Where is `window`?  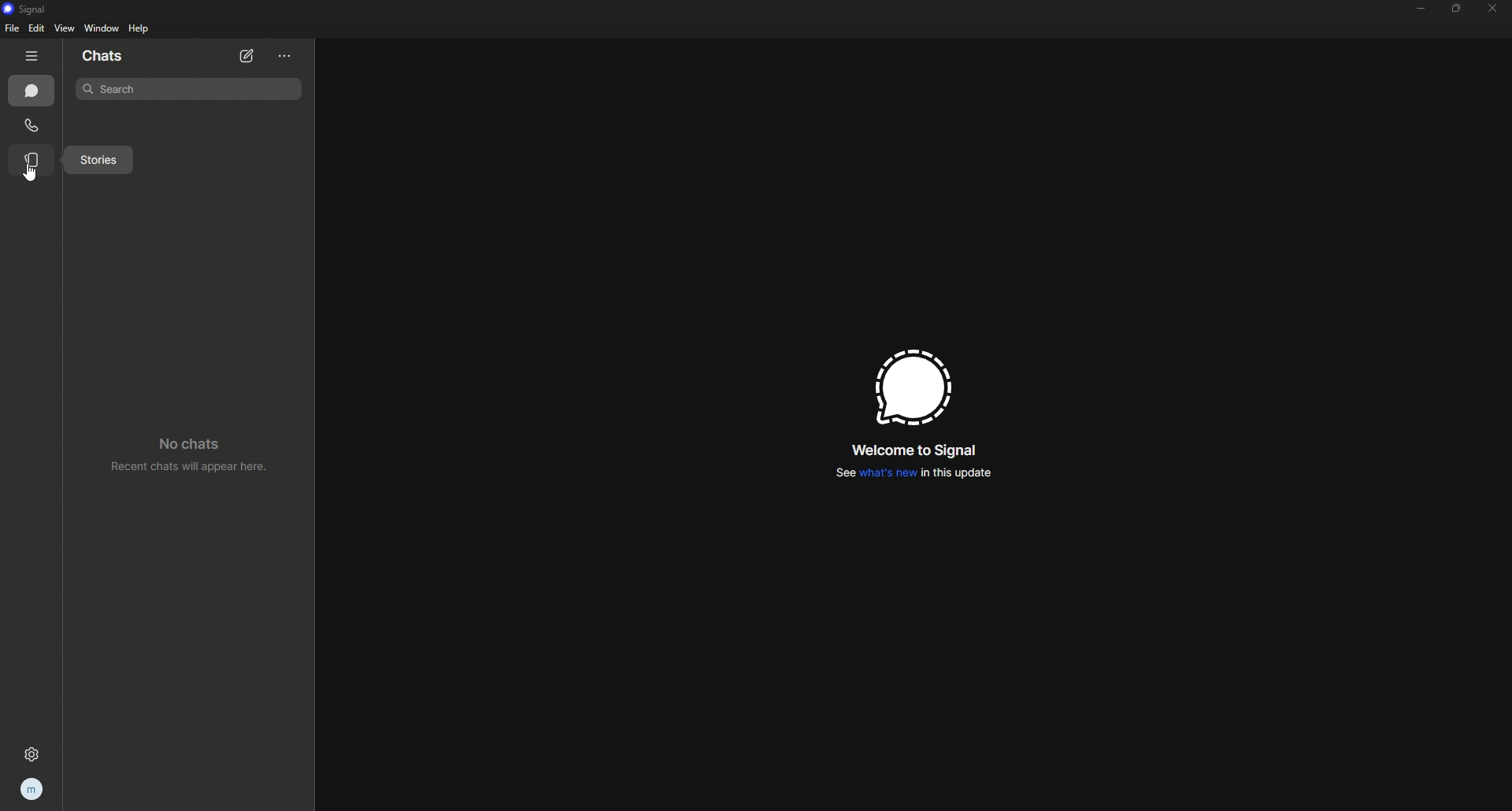
window is located at coordinates (104, 29).